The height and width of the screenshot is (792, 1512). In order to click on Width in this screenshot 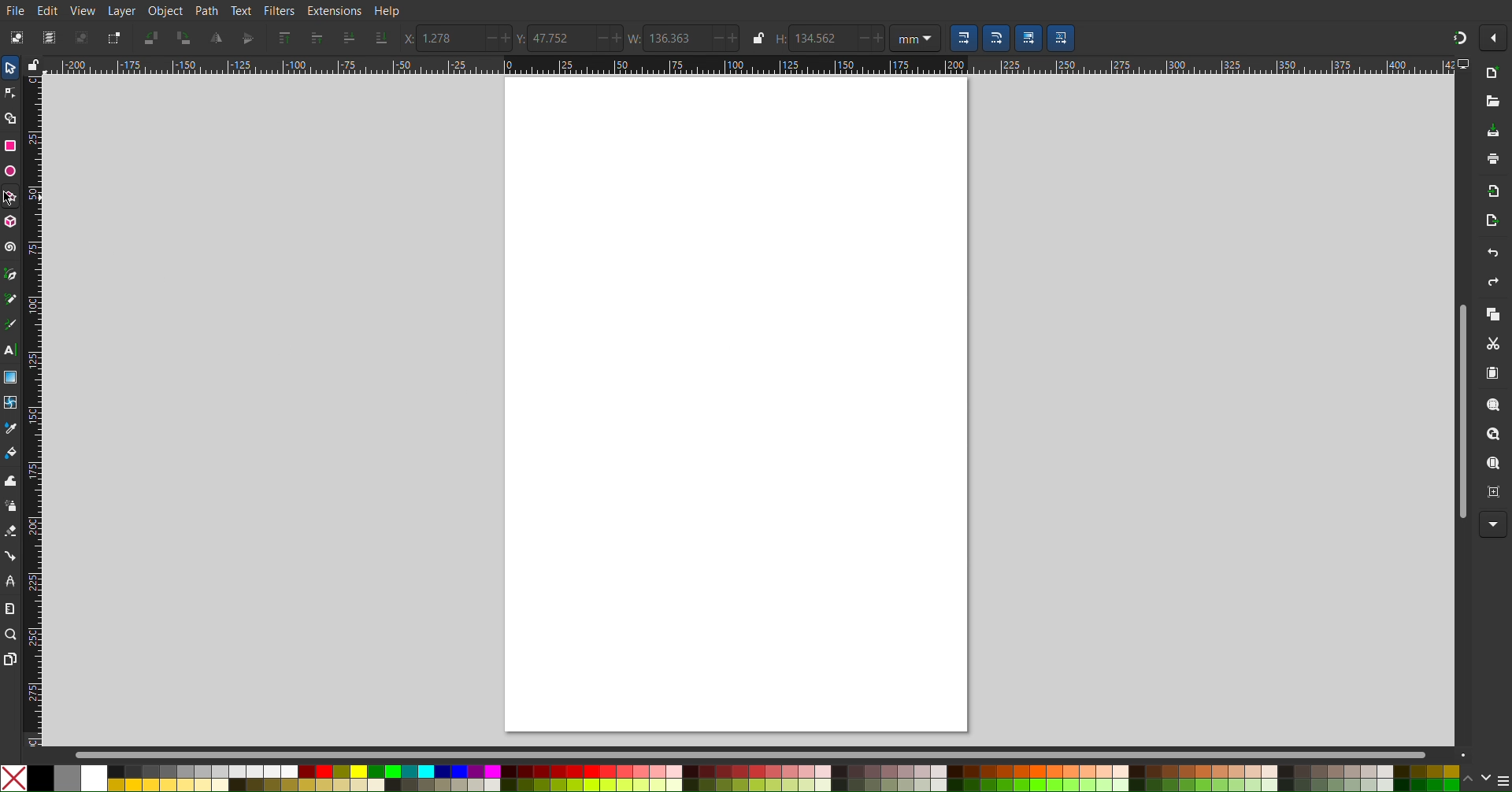, I will do `click(633, 38)`.